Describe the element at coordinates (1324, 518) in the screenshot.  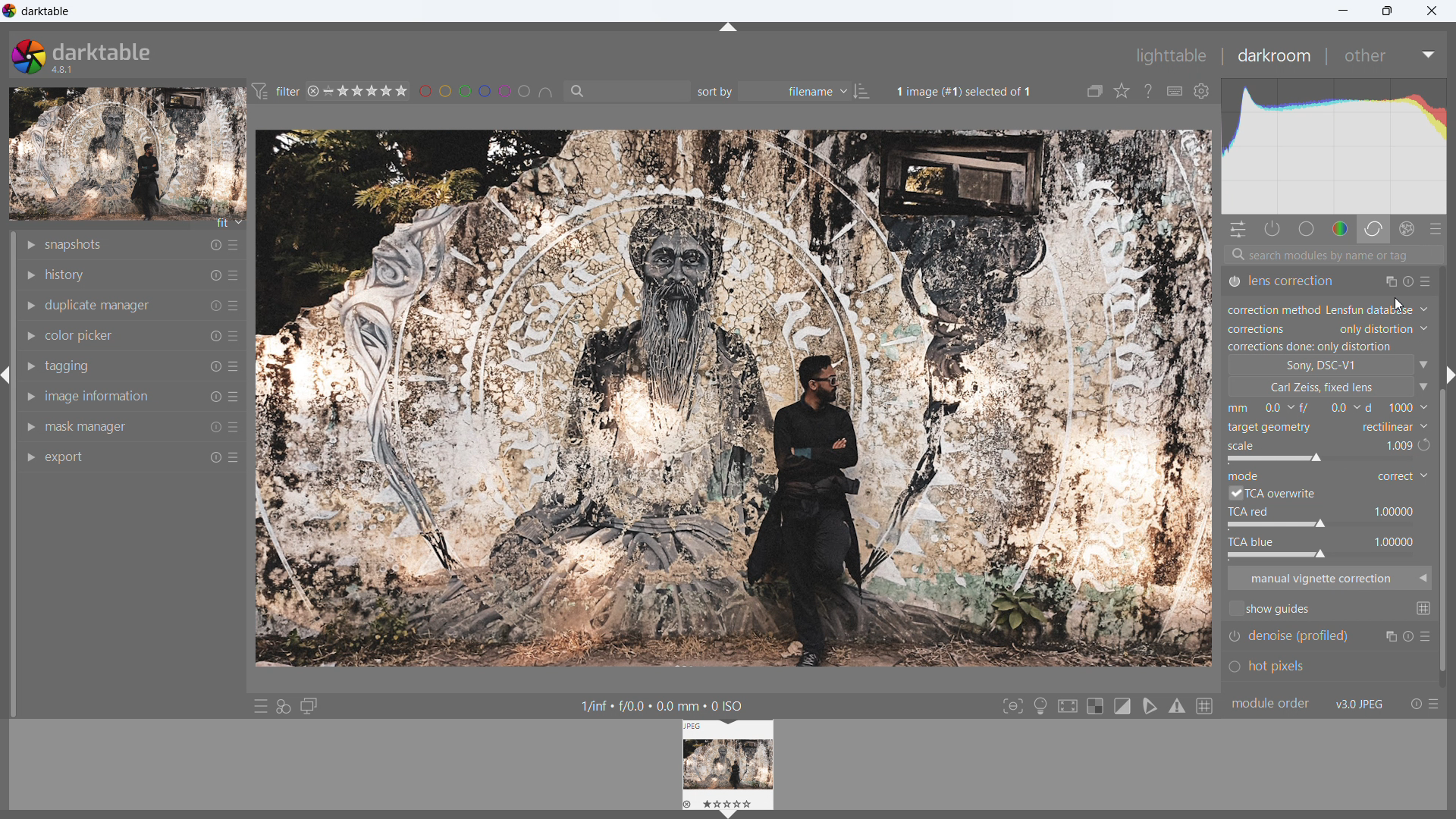
I see `tca red` at that location.